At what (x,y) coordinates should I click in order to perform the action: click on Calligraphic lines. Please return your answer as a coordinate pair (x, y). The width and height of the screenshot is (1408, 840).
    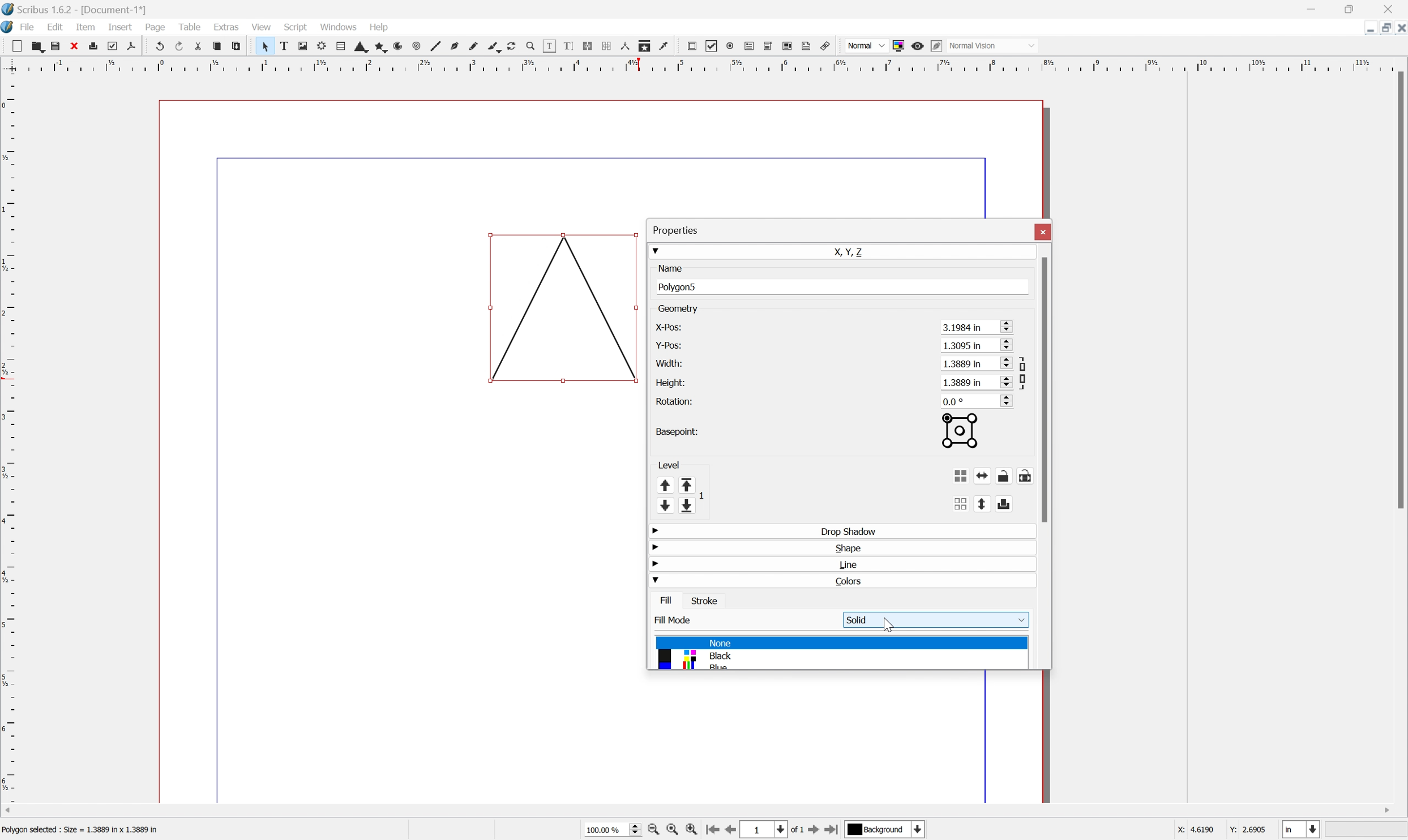
    Looking at the image, I should click on (495, 48).